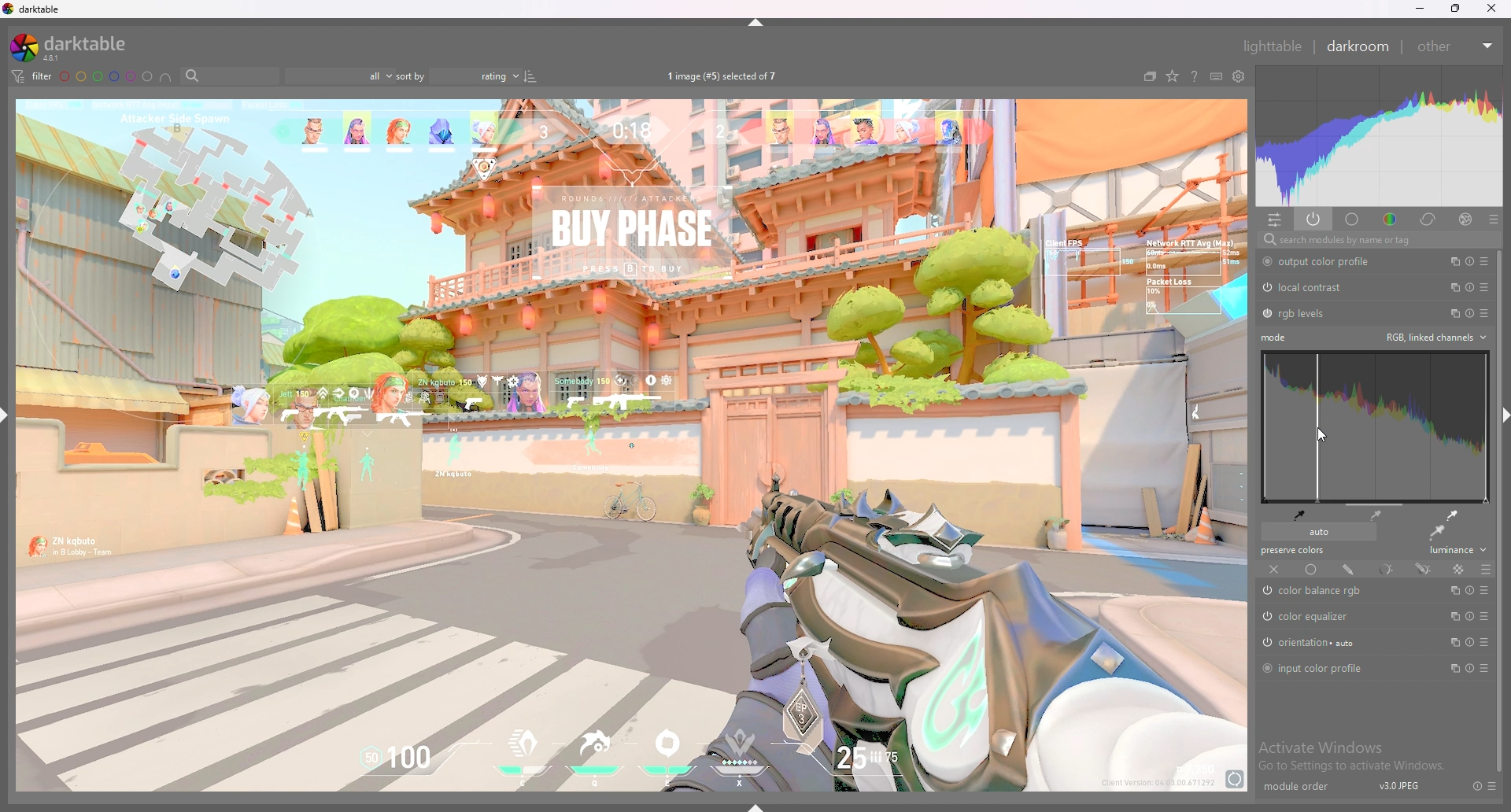 The height and width of the screenshot is (812, 1511). What do you see at coordinates (1266, 314) in the screenshot?
I see `Switched on` at bounding box center [1266, 314].